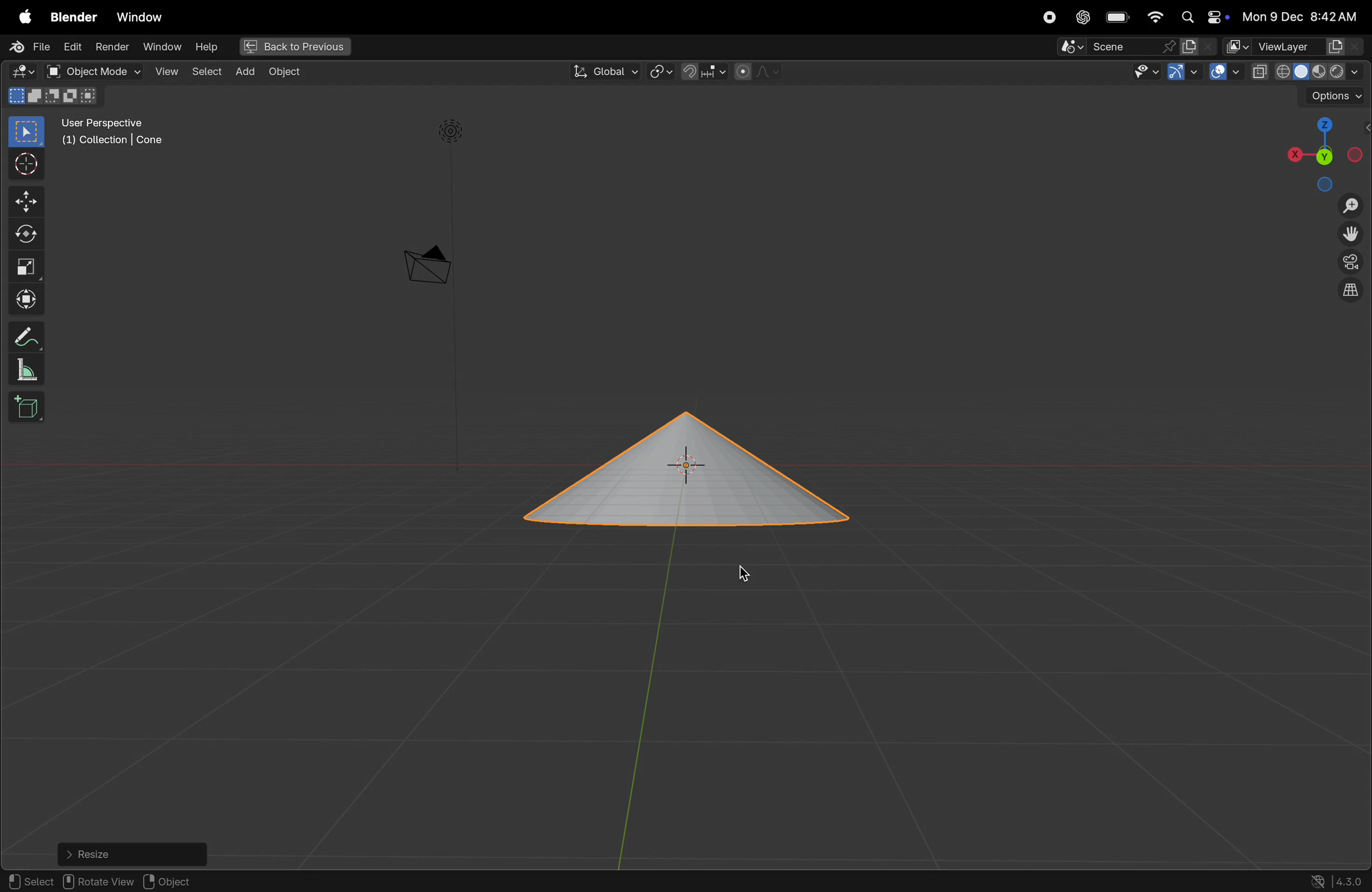  I want to click on Navigate, so click(1253, 879).